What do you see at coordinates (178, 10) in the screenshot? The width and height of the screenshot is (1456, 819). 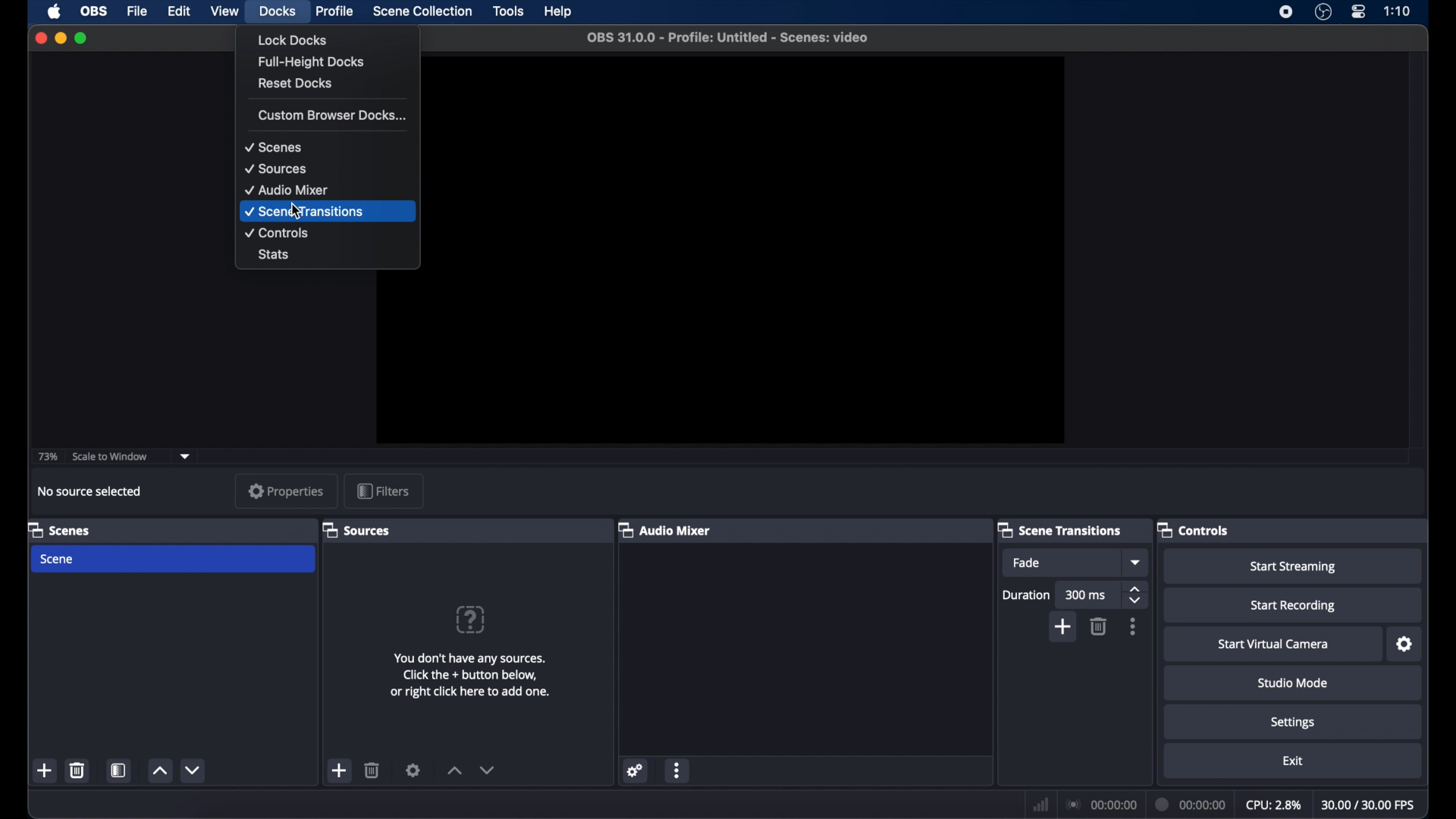 I see `edit` at bounding box center [178, 10].